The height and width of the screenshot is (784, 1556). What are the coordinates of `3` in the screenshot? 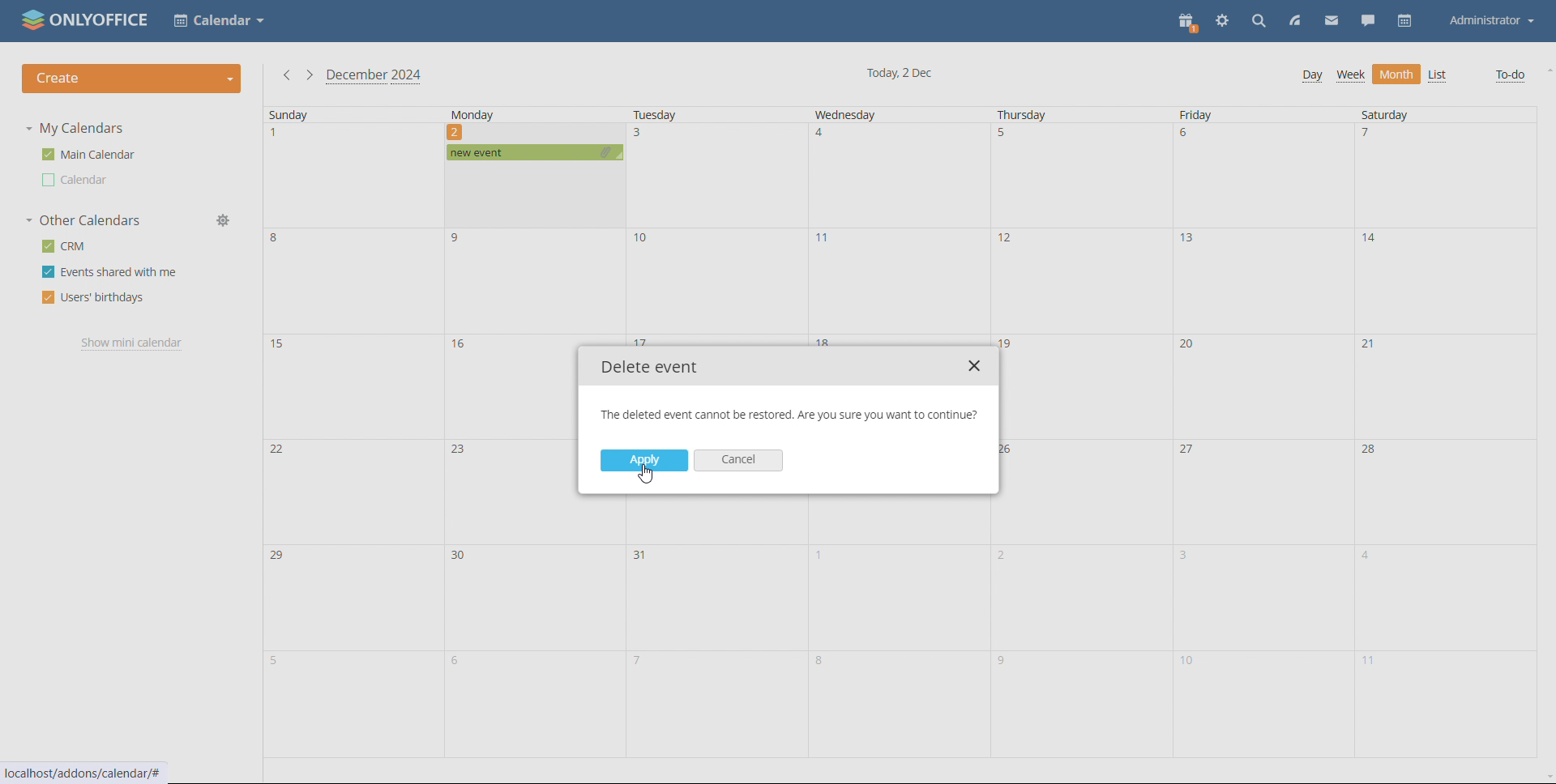 It's located at (1188, 556).